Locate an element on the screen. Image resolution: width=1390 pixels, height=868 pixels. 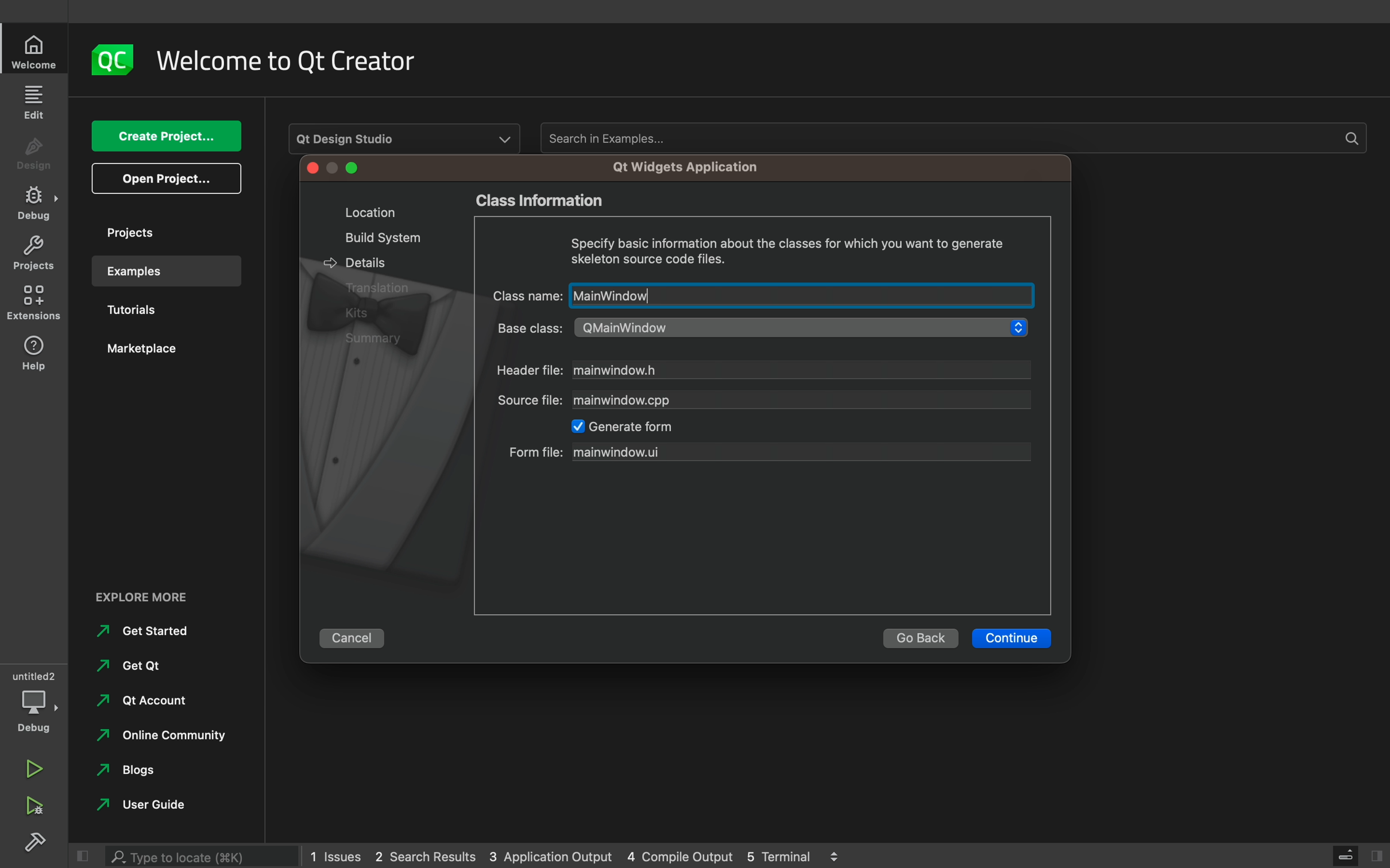
username is located at coordinates (138, 808).